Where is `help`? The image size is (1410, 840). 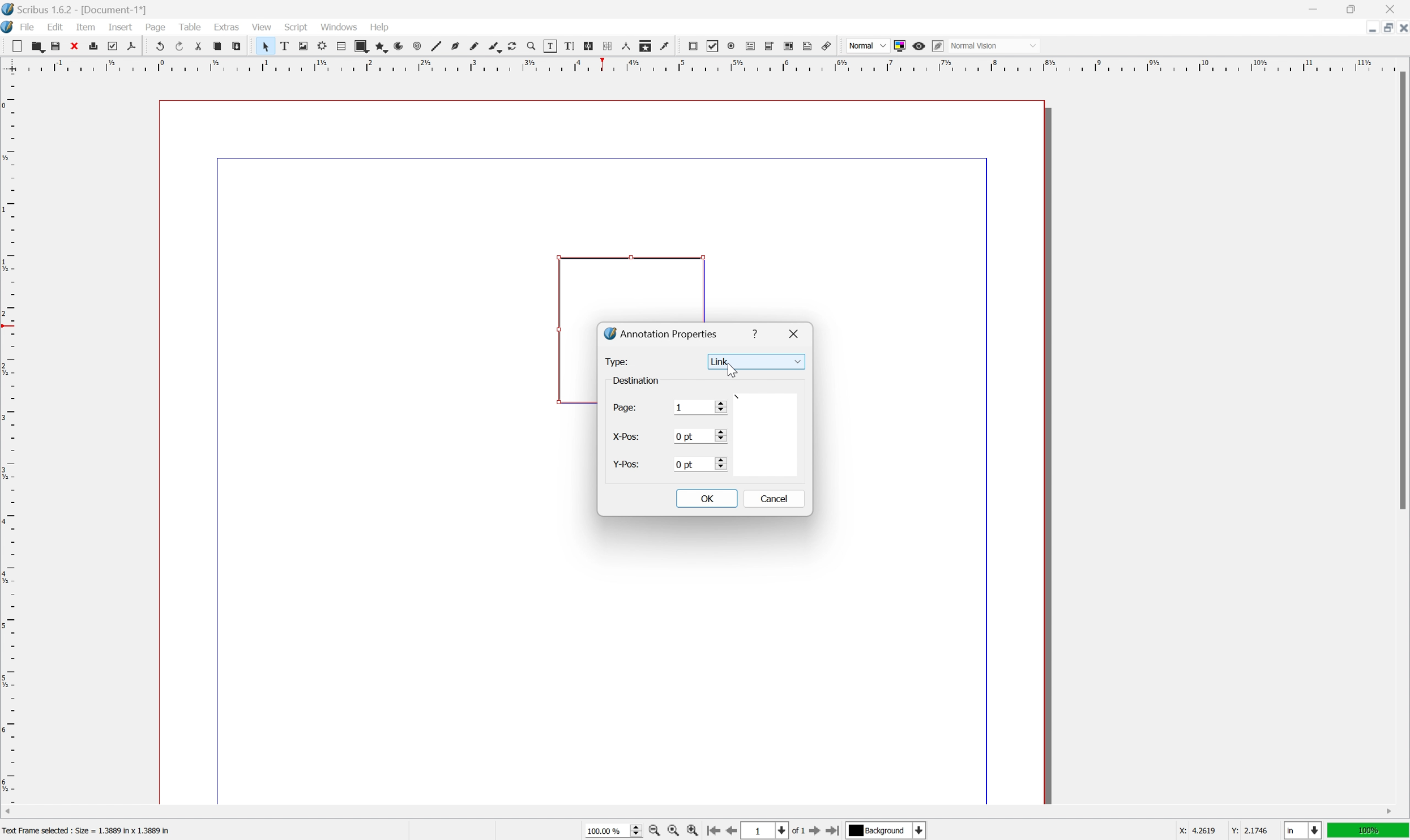
help is located at coordinates (757, 333).